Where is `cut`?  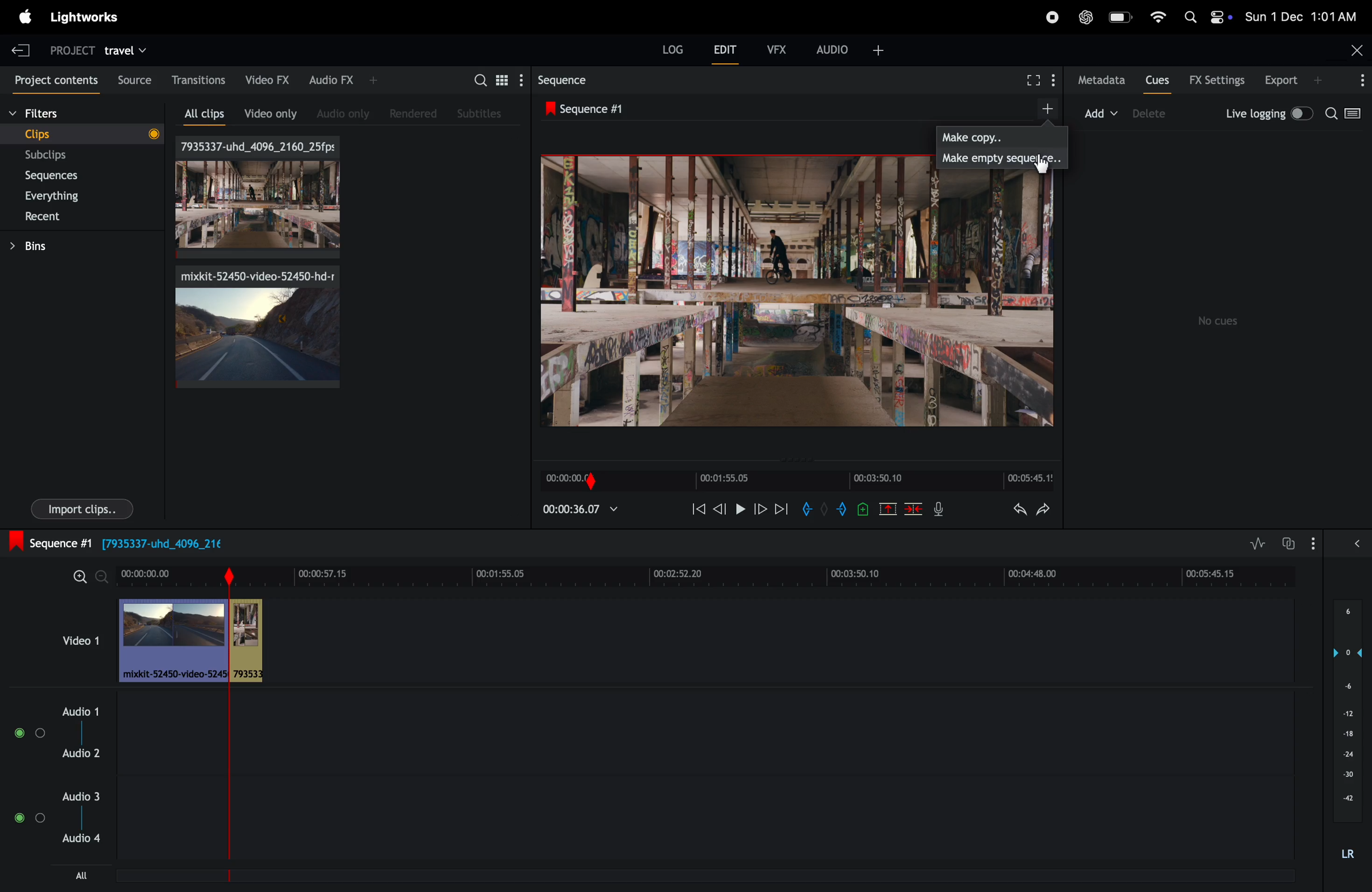
cut is located at coordinates (888, 508).